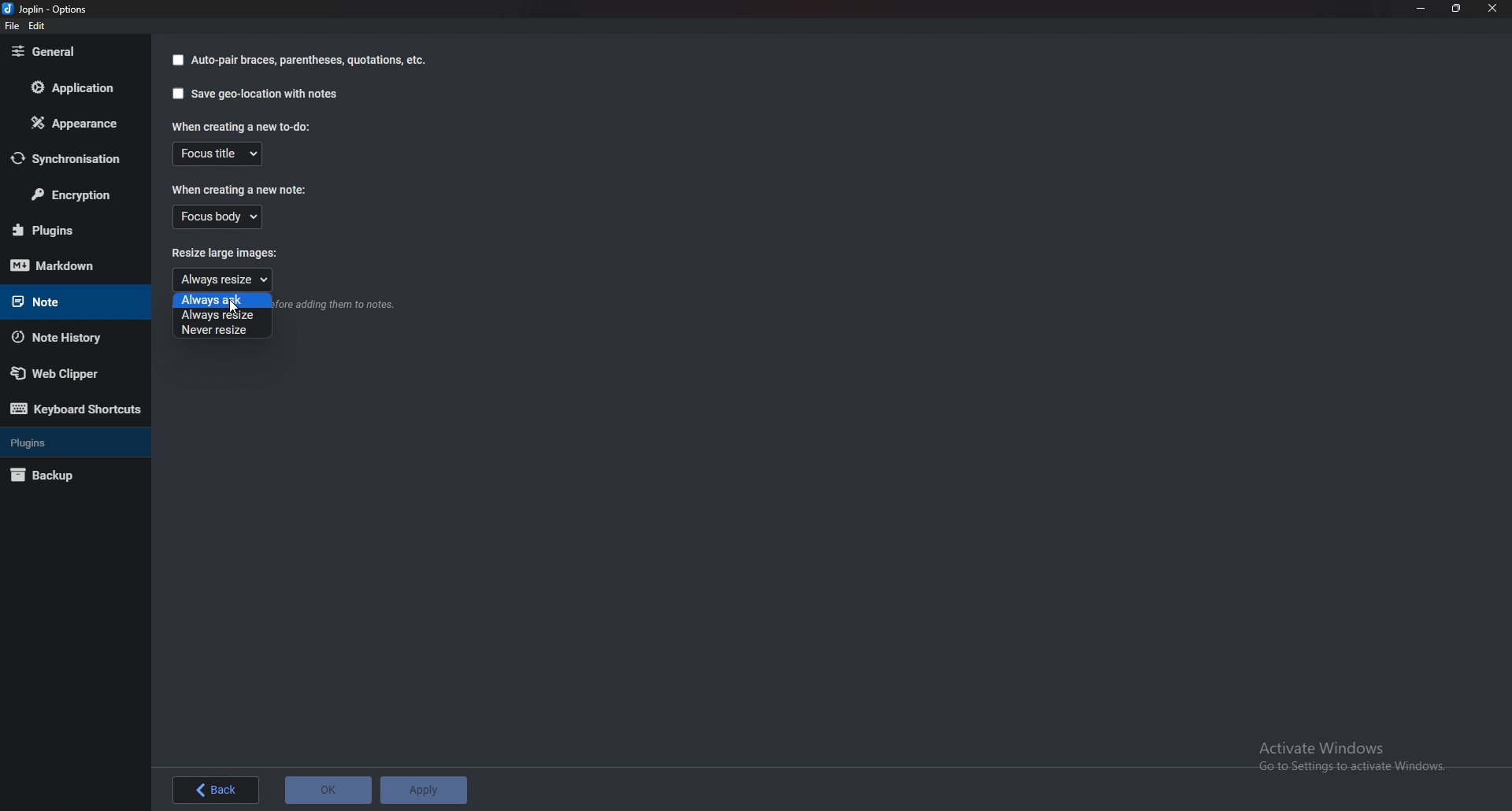 This screenshot has height=811, width=1512. I want to click on Back, so click(216, 789).